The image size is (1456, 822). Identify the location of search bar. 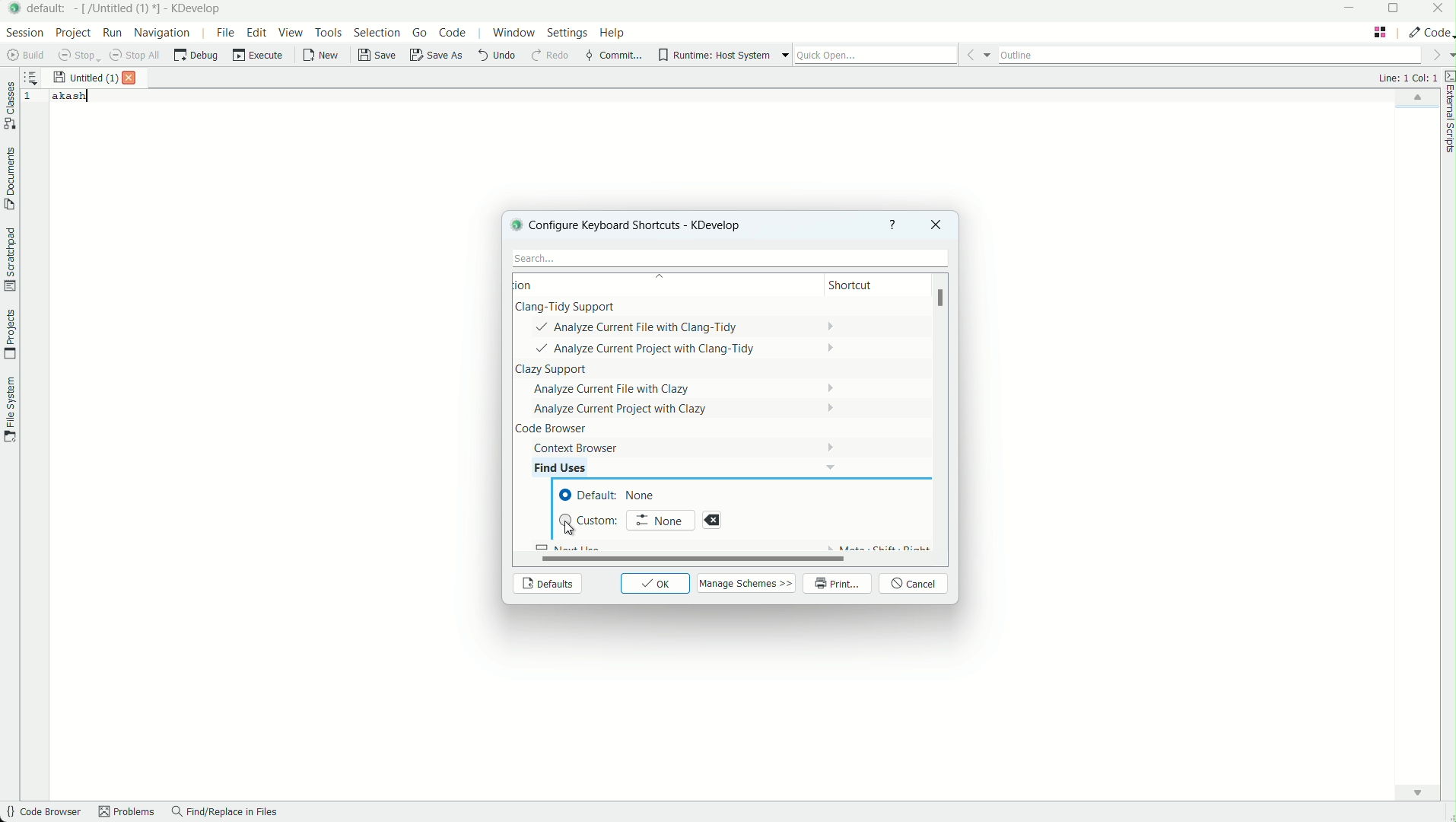
(726, 258).